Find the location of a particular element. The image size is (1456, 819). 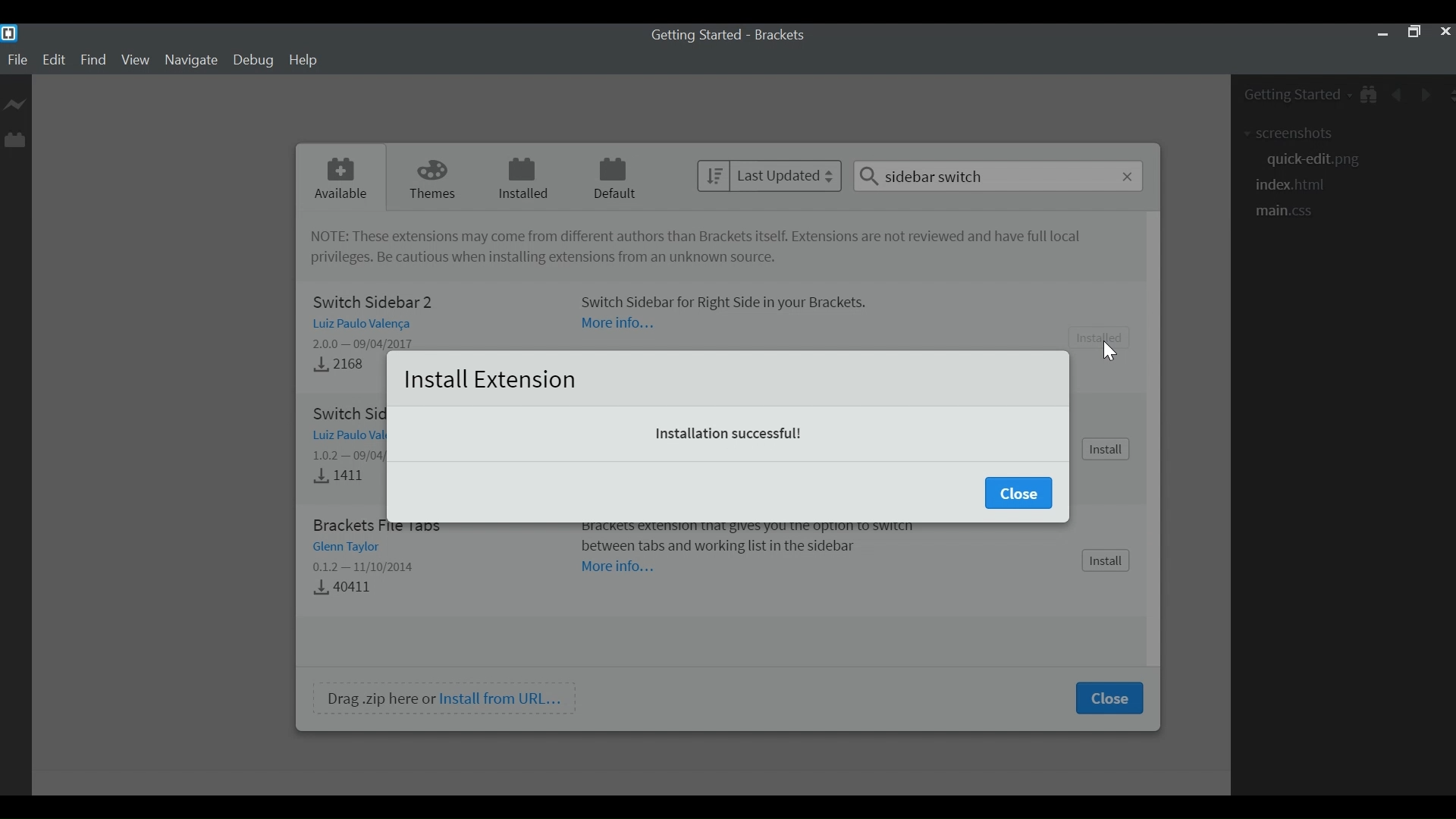

Switch Sidebar for Right Side in your Brackets is located at coordinates (732, 300).